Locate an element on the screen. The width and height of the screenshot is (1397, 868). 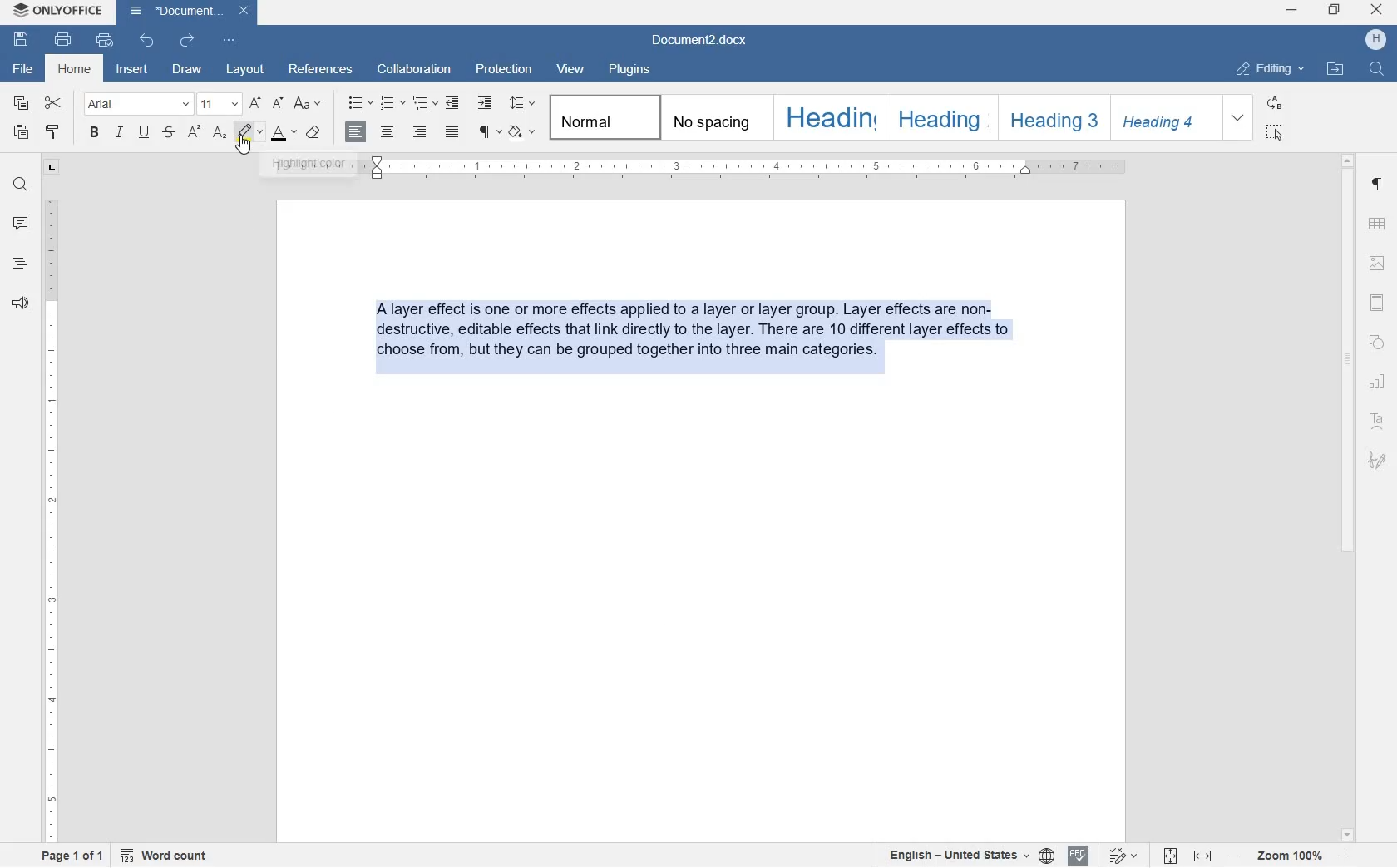
UNDERLINE is located at coordinates (144, 133).